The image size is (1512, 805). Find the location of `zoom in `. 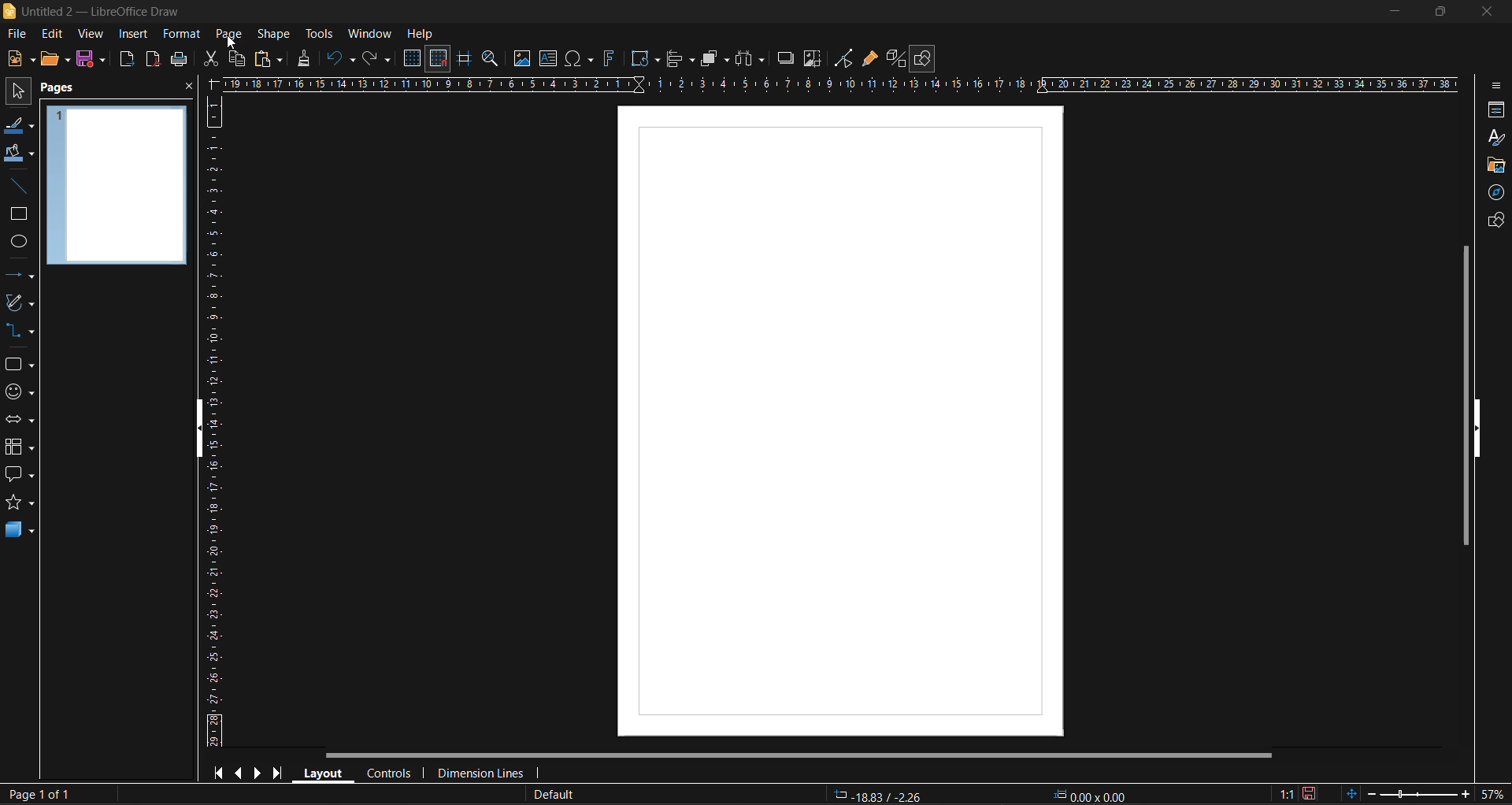

zoom in  is located at coordinates (1460, 796).